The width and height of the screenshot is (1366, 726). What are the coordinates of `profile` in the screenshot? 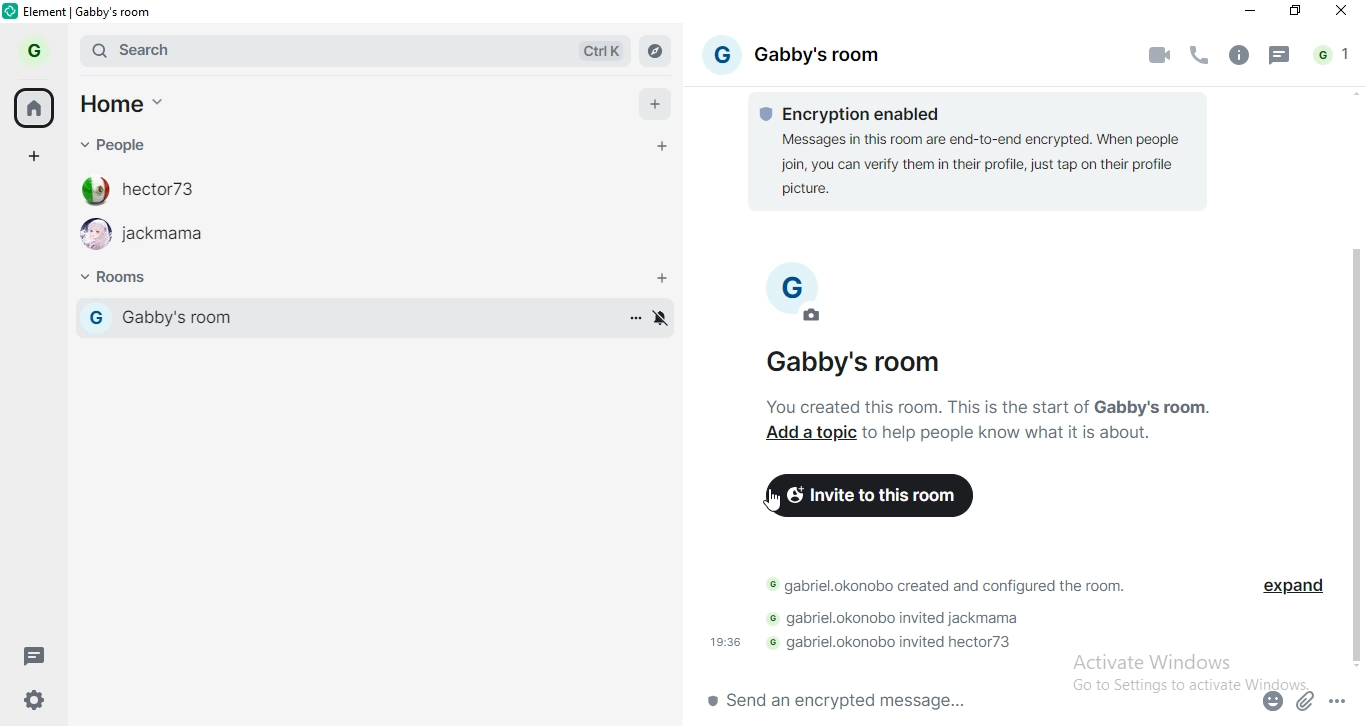 It's located at (94, 191).